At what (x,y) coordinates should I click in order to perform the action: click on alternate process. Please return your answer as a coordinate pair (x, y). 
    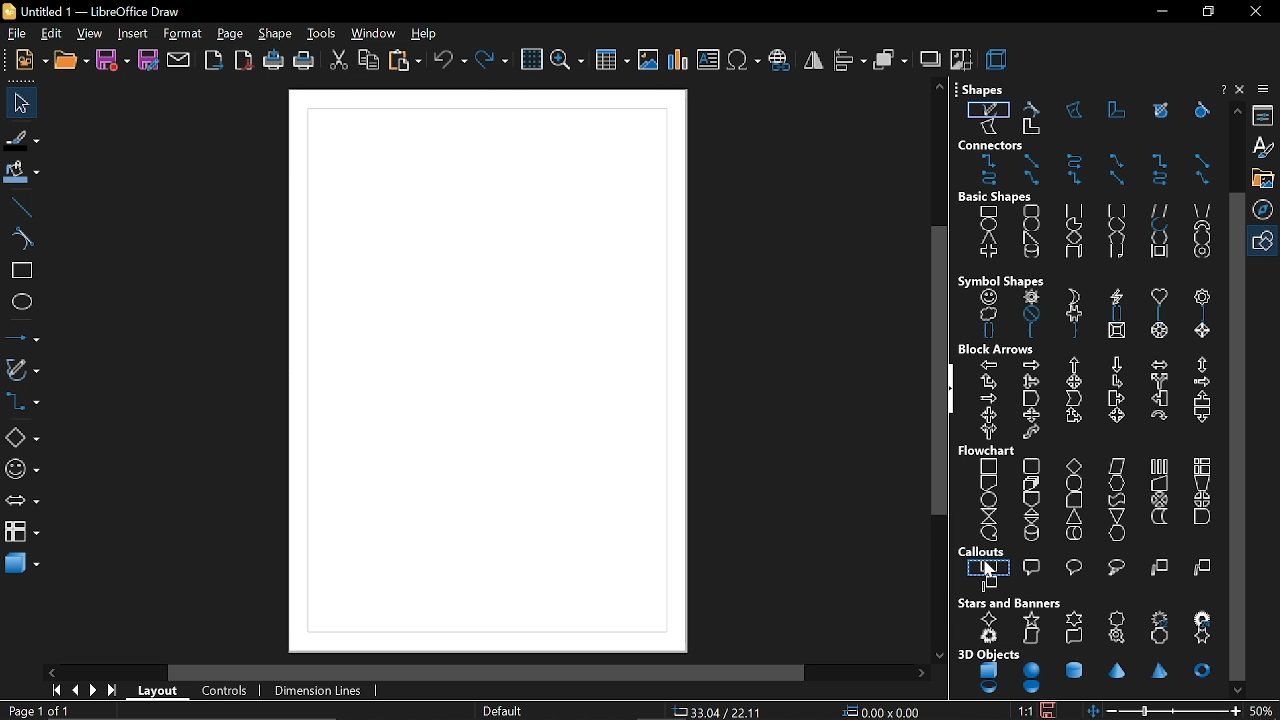
    Looking at the image, I should click on (1029, 465).